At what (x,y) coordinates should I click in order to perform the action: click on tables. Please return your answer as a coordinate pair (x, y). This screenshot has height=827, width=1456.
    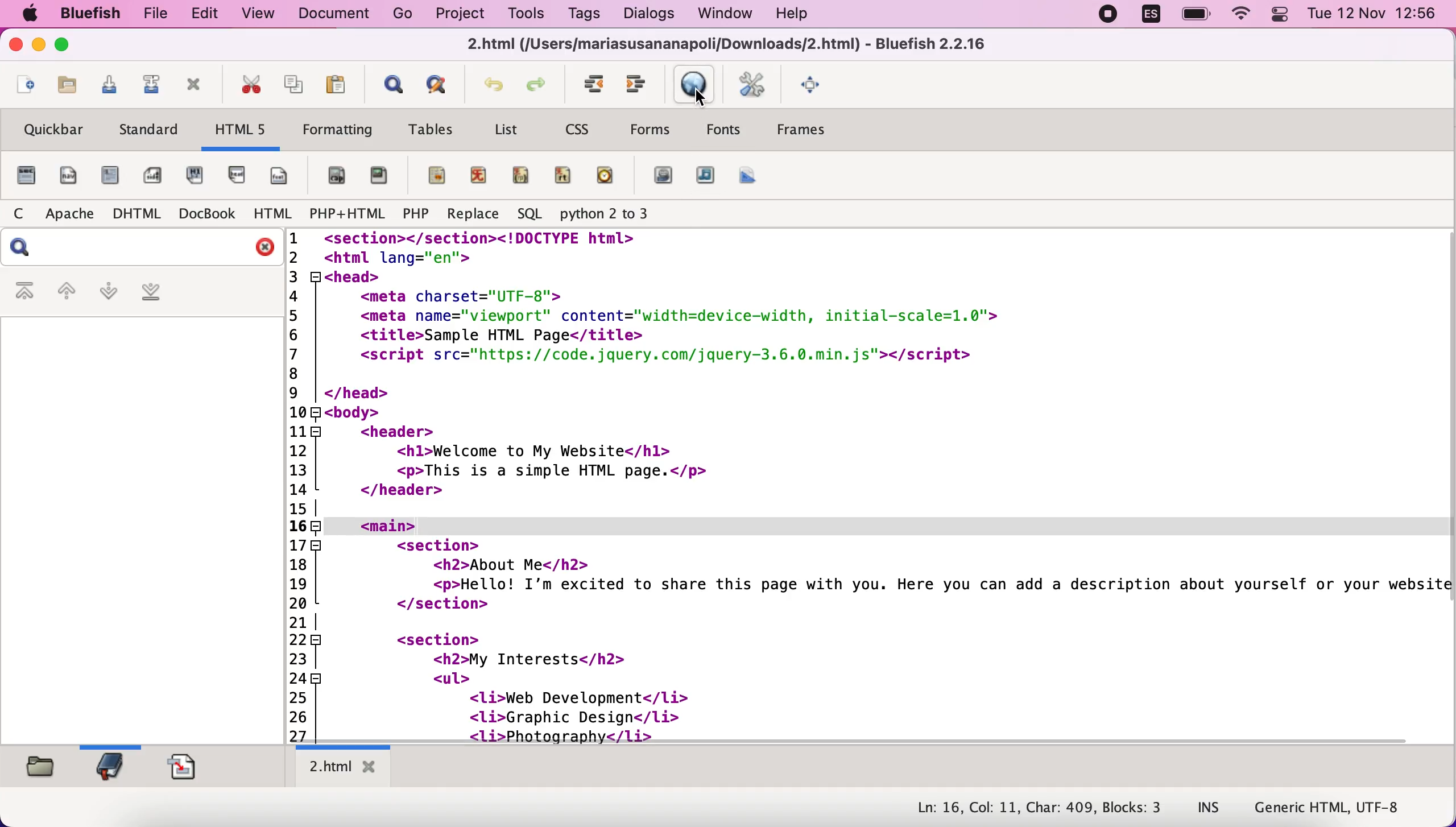
    Looking at the image, I should click on (432, 130).